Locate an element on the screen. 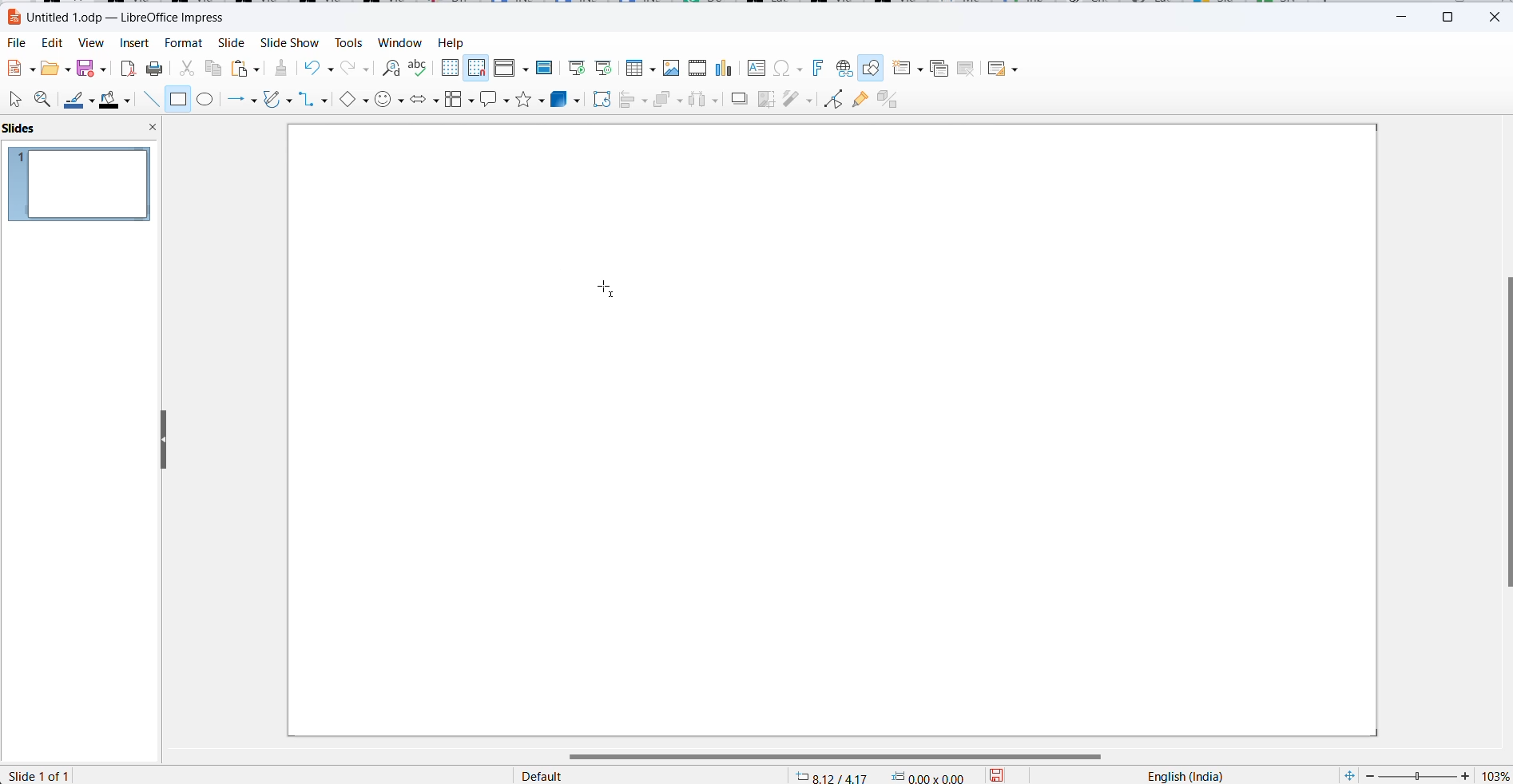 This screenshot has height=784, width=1513. page style is located at coordinates (645, 774).